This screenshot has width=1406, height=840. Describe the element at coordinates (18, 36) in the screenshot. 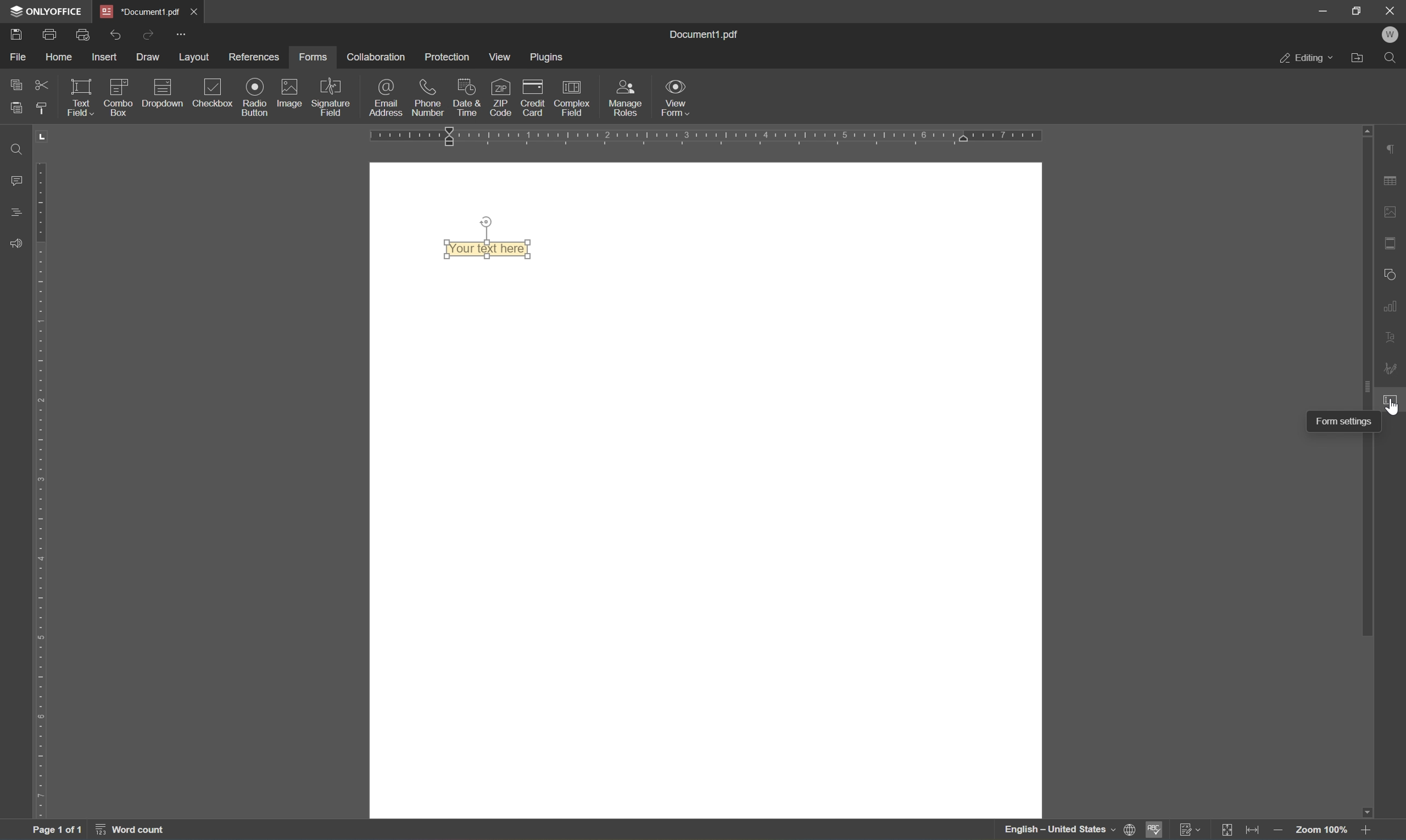

I see `save` at that location.